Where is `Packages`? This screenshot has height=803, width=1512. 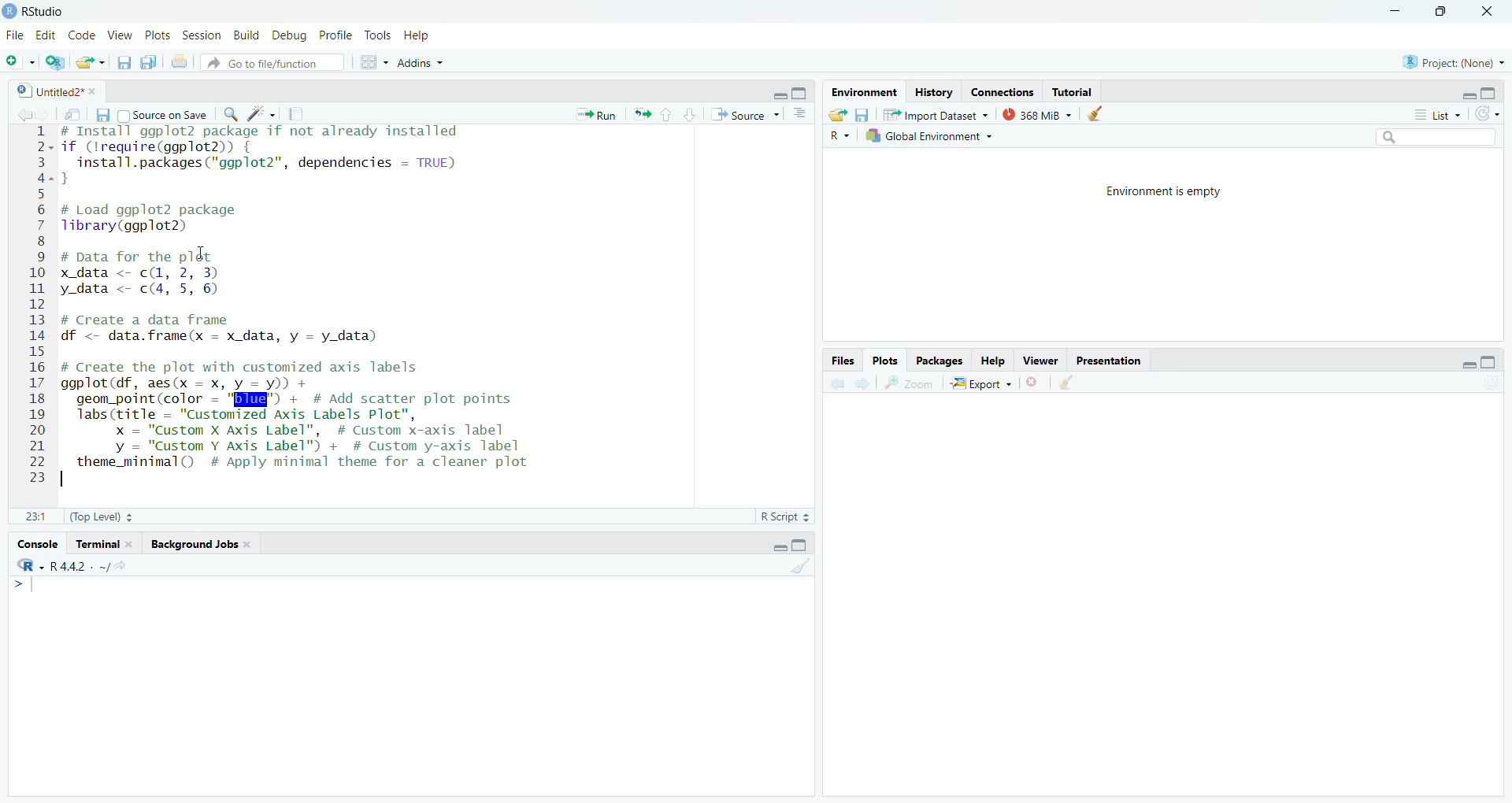 Packages is located at coordinates (937, 361).